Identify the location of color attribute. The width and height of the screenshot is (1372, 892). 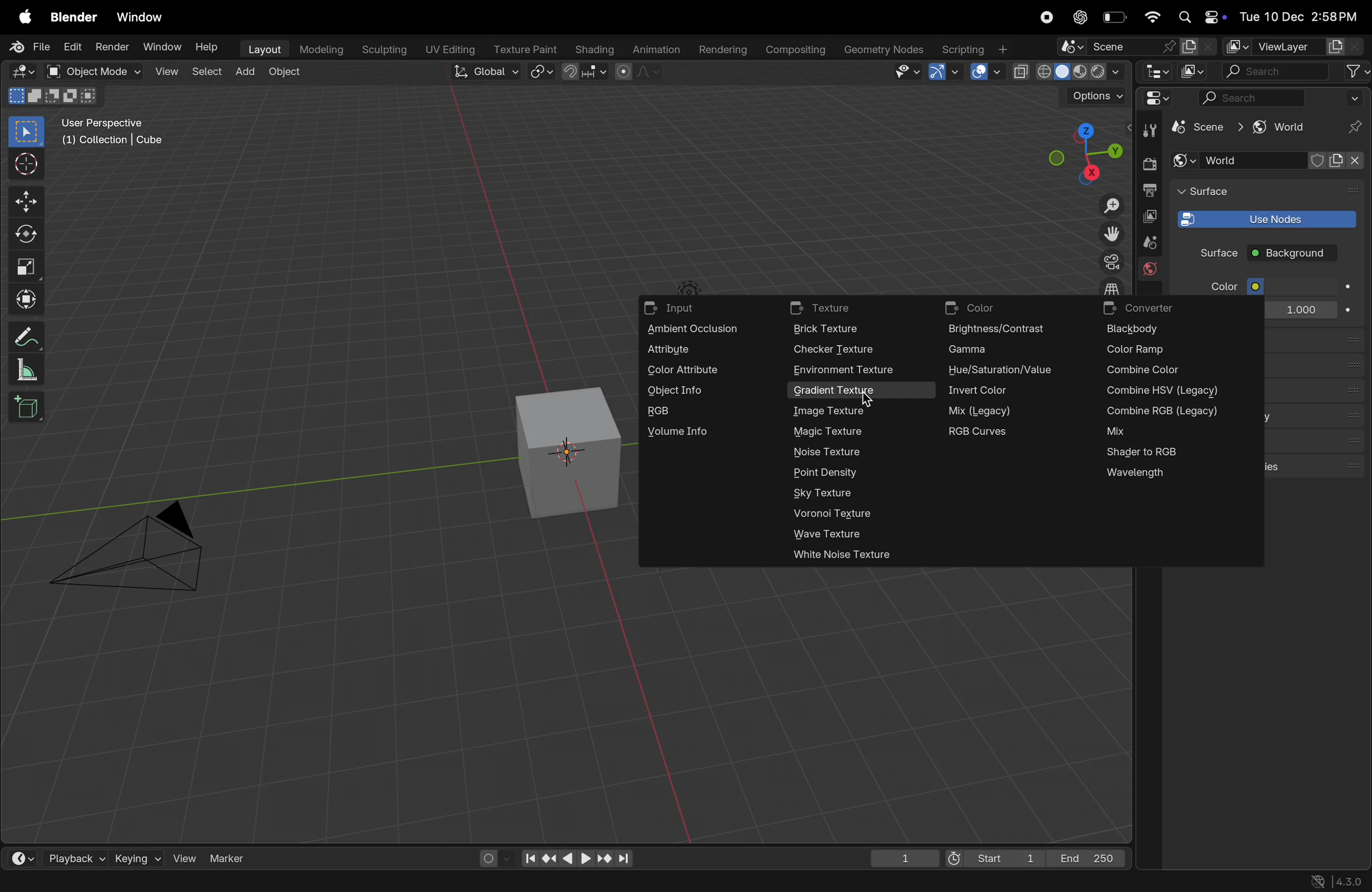
(691, 372).